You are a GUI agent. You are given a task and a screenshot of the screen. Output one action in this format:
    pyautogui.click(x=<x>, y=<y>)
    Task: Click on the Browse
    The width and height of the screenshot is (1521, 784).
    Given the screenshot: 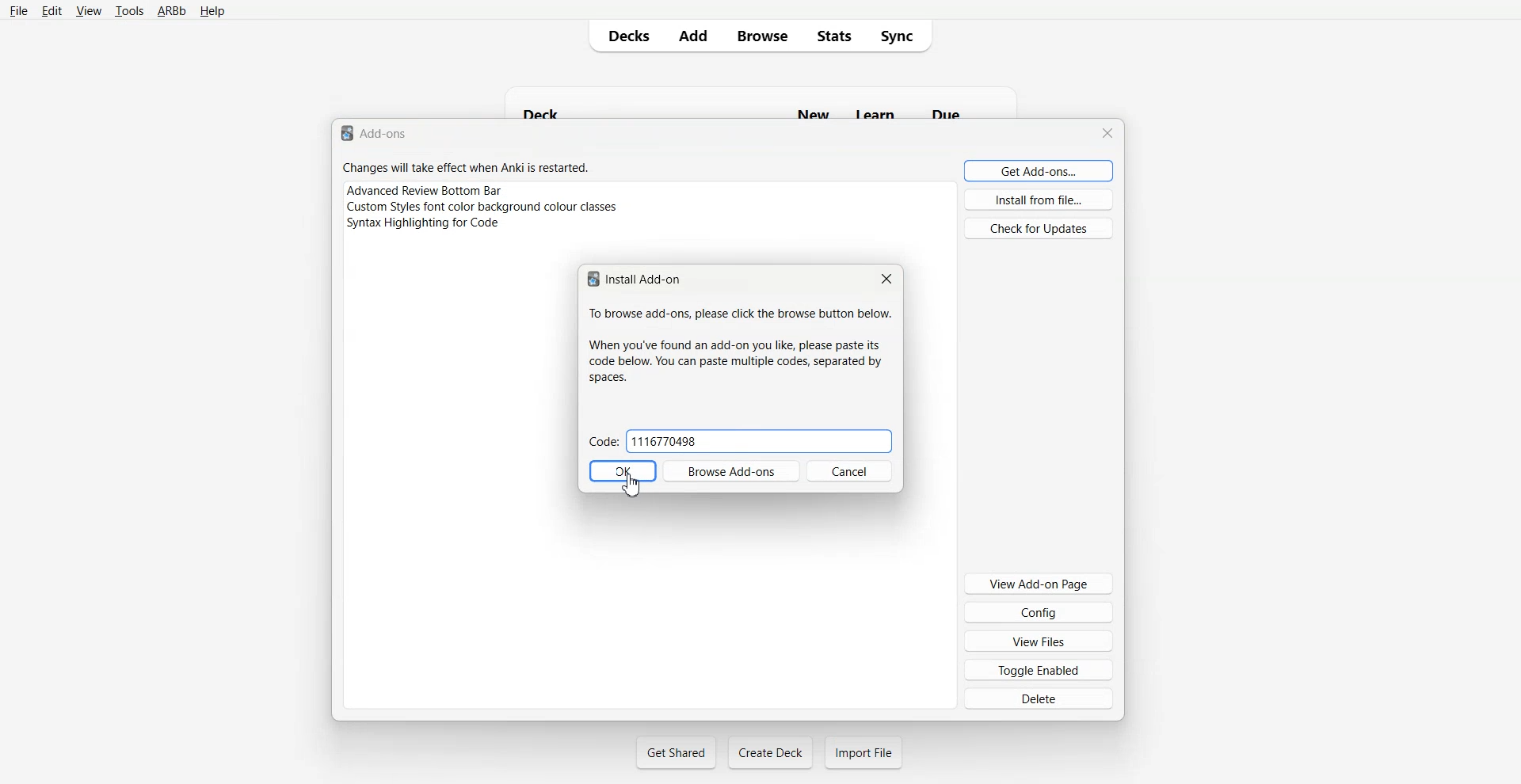 What is the action you would take?
    pyautogui.click(x=761, y=36)
    